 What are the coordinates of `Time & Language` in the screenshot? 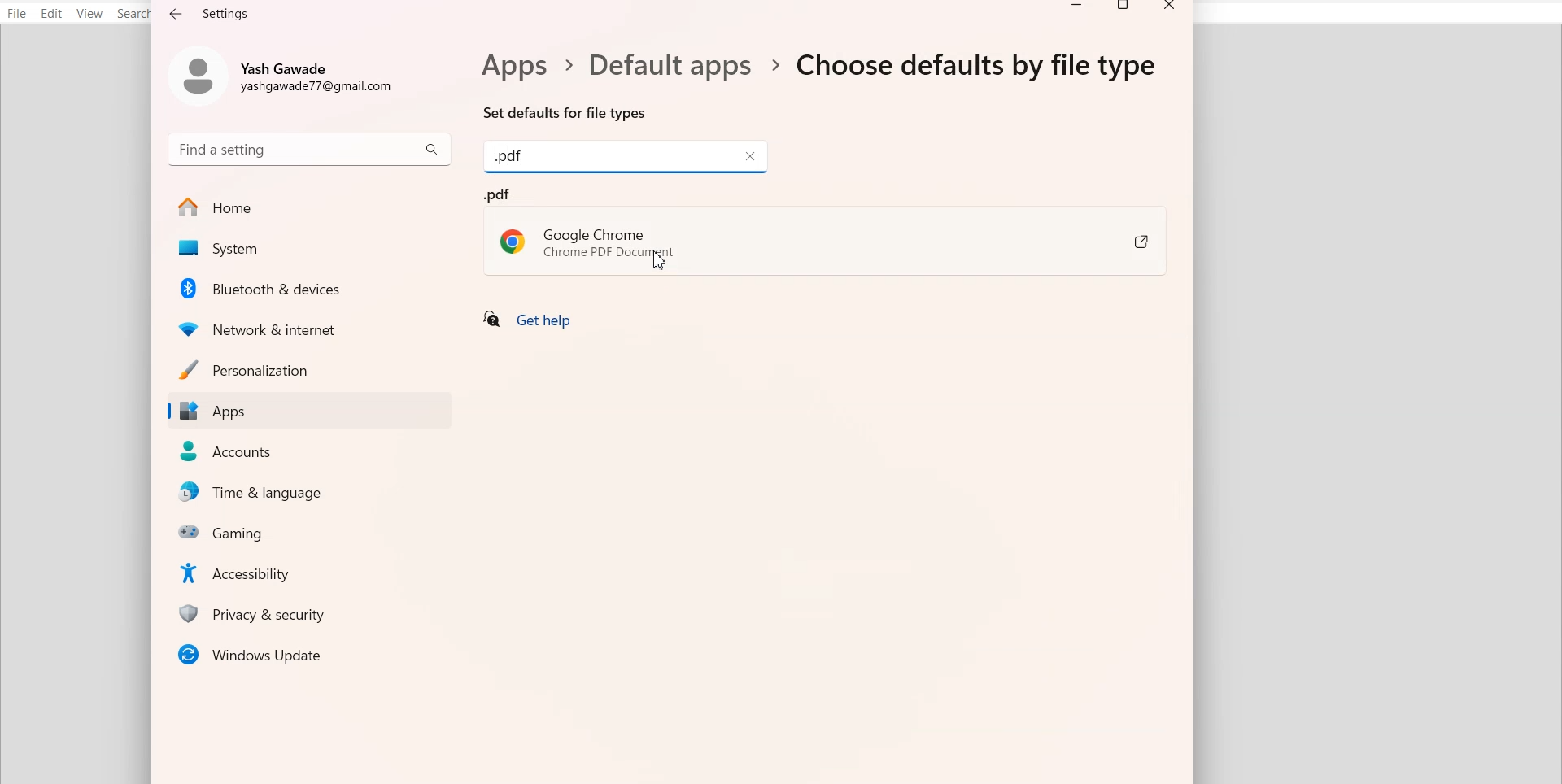 It's located at (314, 493).